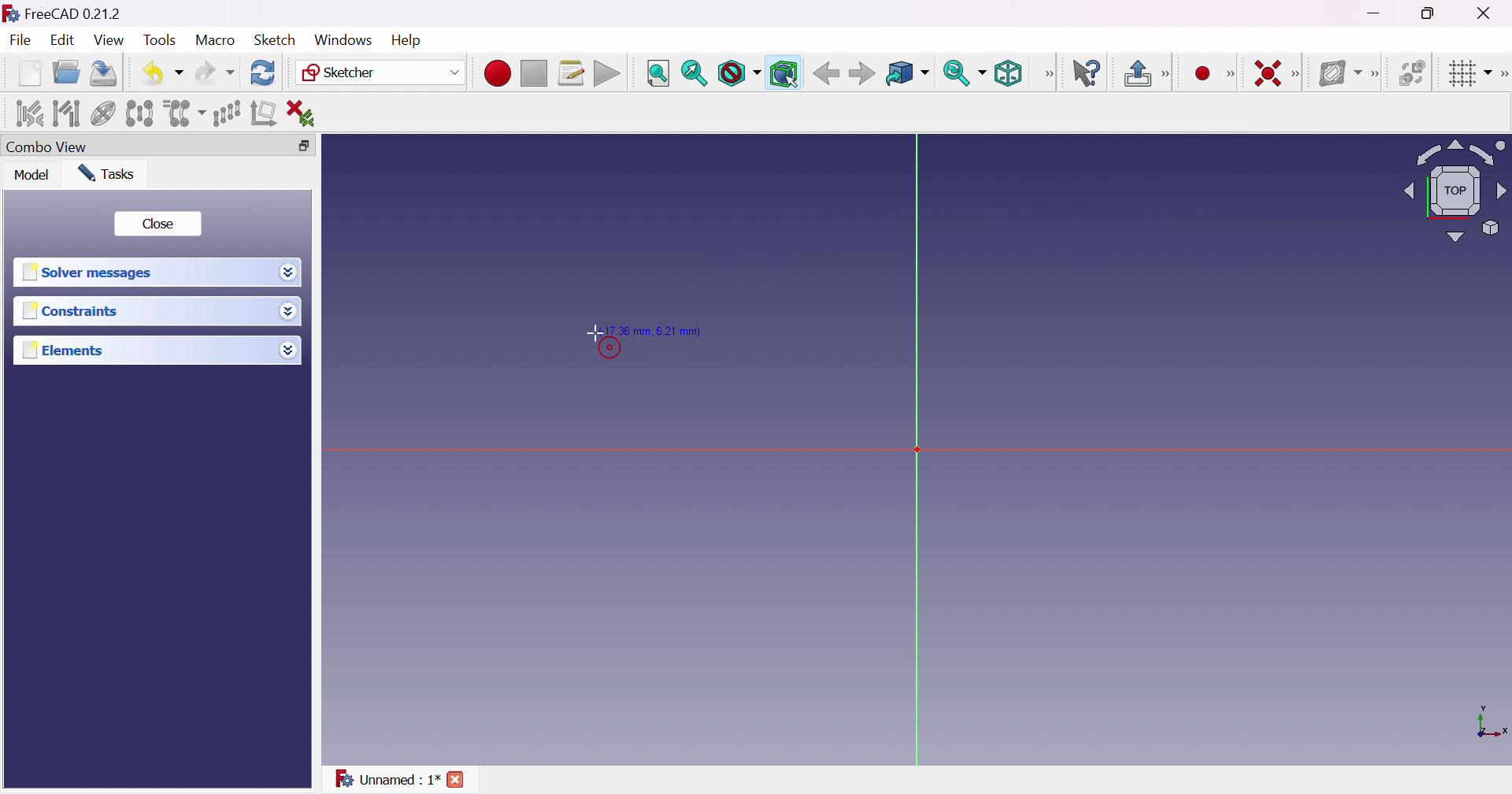  Describe the element at coordinates (74, 311) in the screenshot. I see `Constraints` at that location.